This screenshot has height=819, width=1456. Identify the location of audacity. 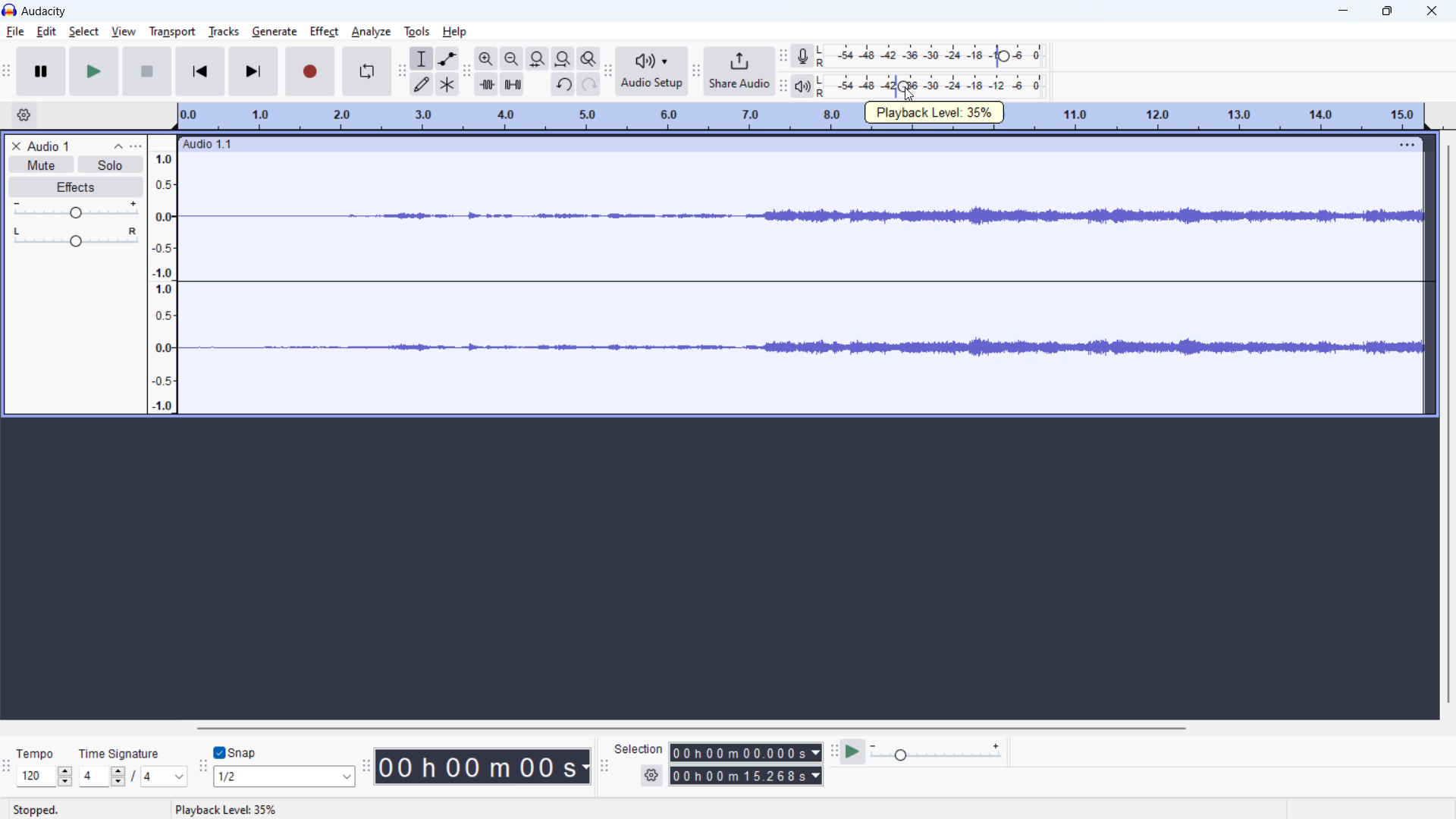
(44, 11).